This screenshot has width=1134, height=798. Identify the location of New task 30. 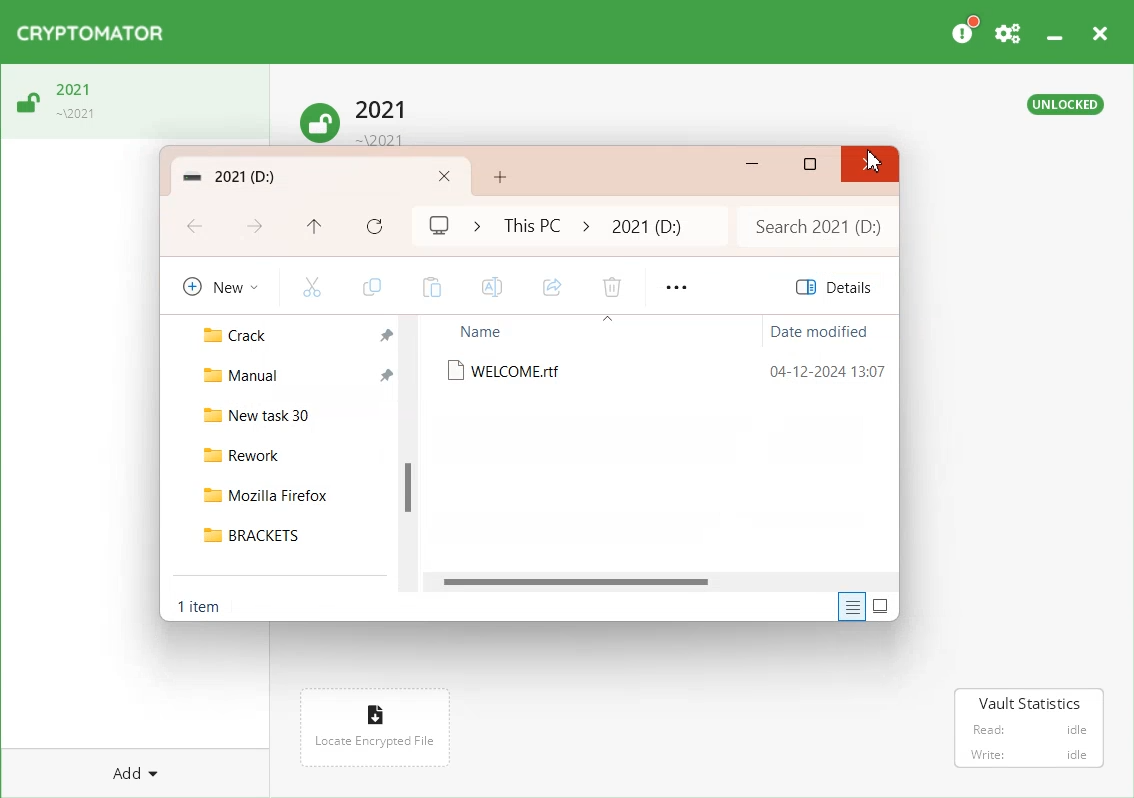
(282, 417).